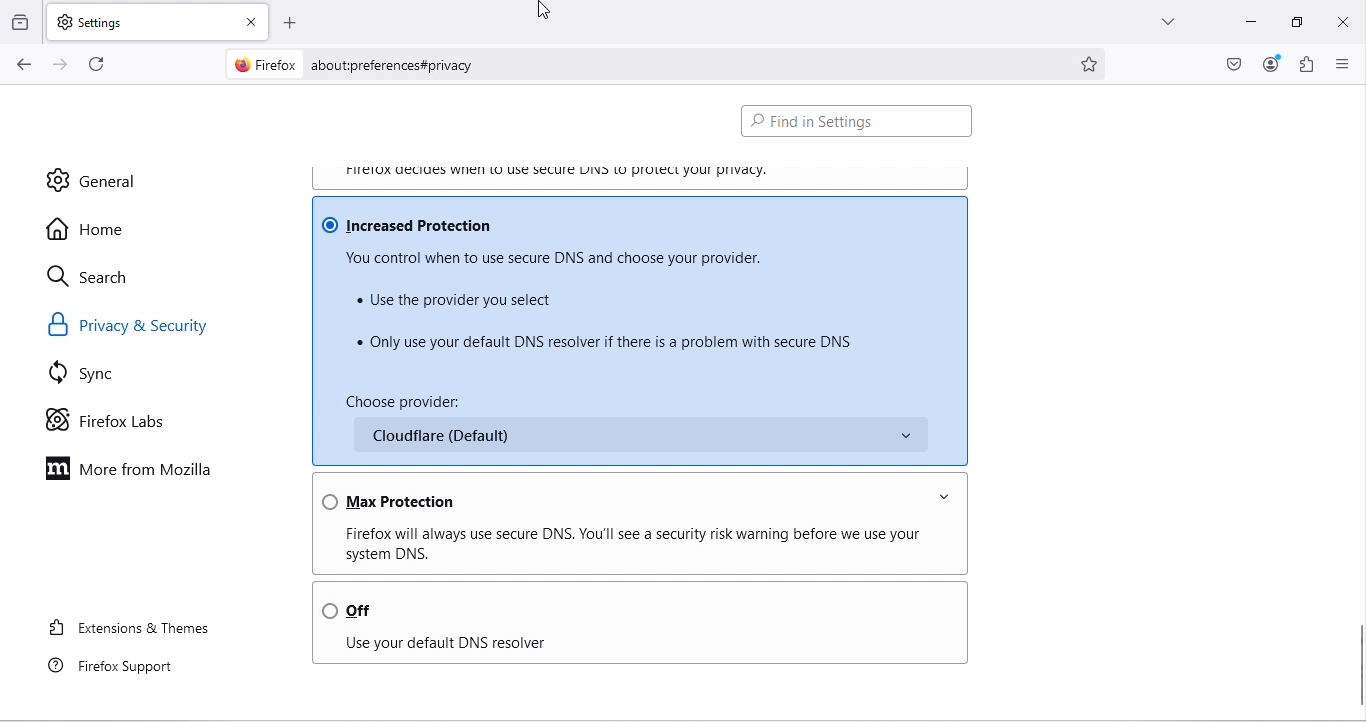  I want to click on Reload current page, so click(99, 64).